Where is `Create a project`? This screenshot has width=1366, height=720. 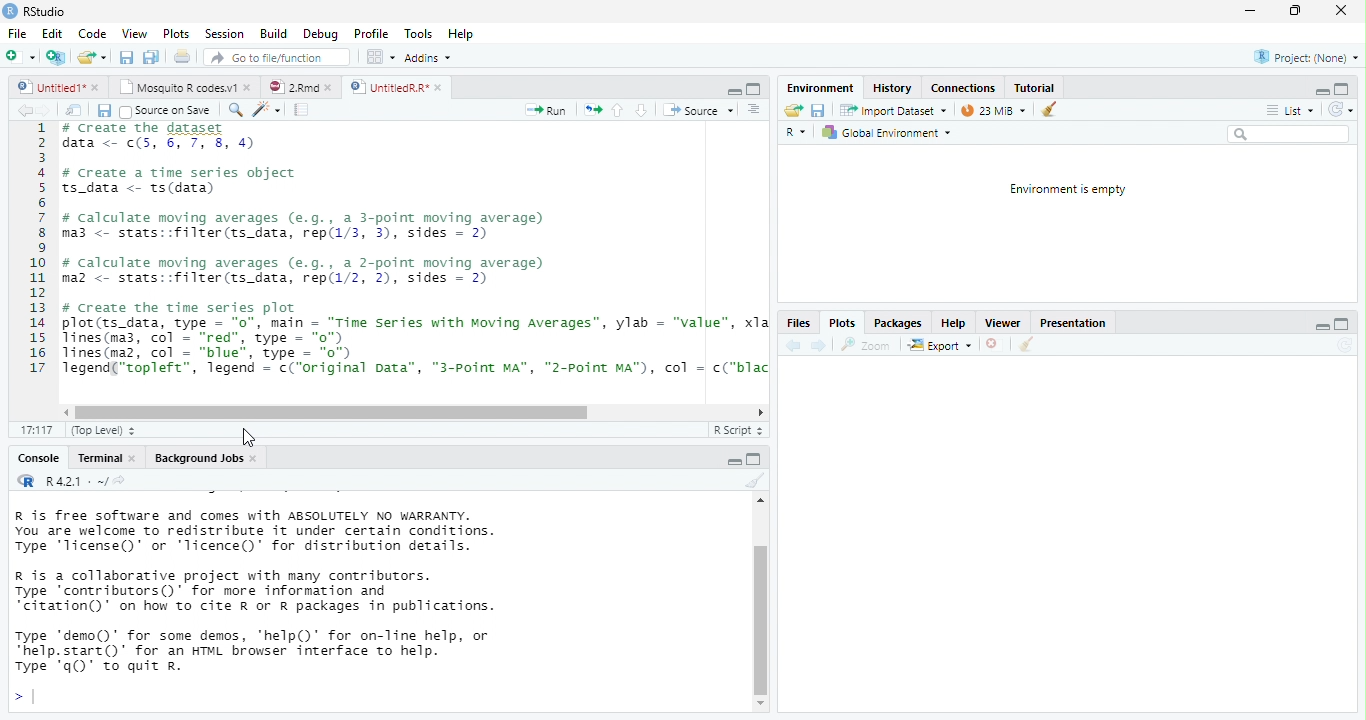 Create a project is located at coordinates (55, 57).